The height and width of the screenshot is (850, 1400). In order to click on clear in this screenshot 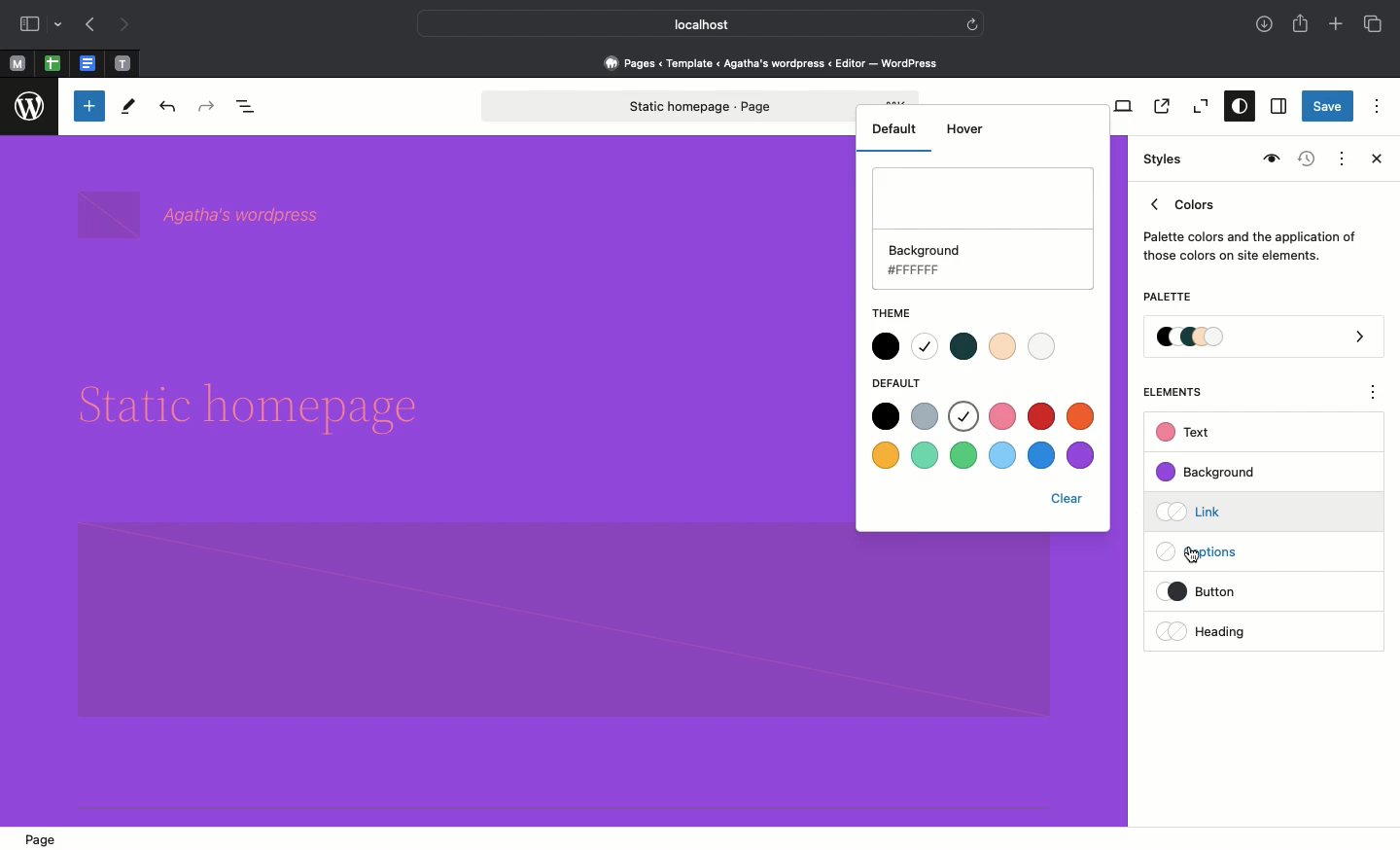, I will do `click(1067, 500)`.